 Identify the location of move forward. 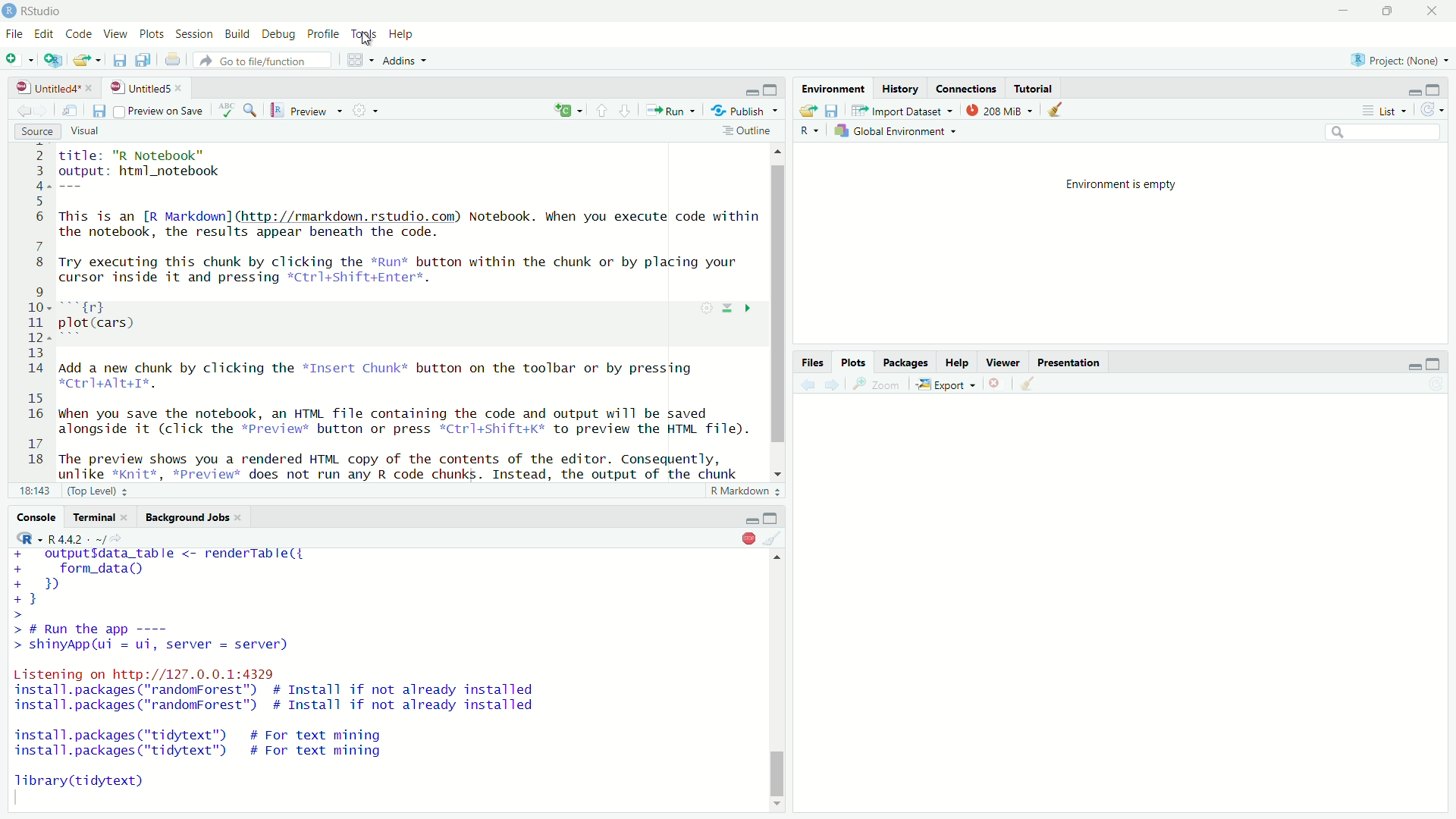
(21, 111).